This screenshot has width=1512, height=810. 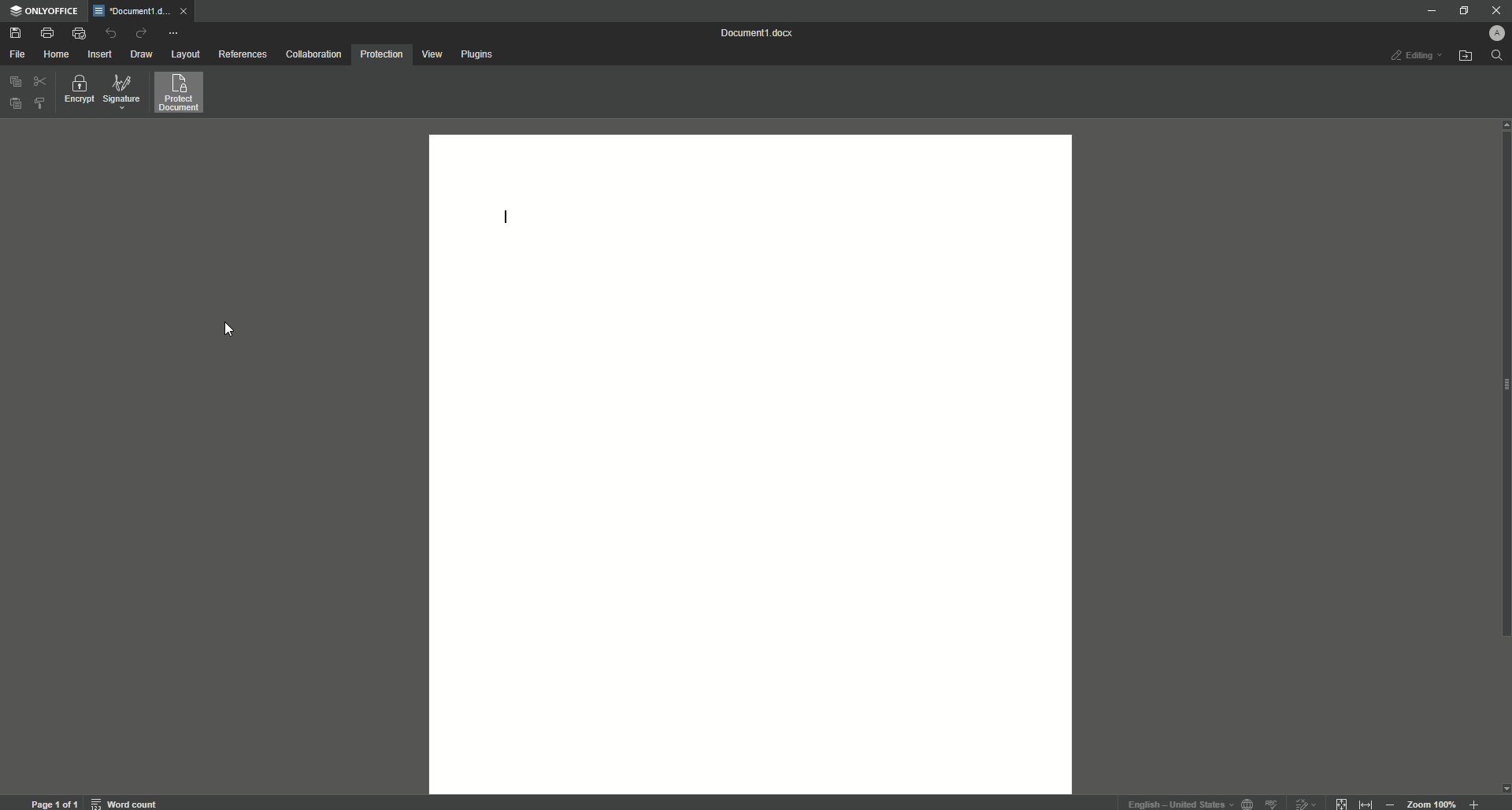 What do you see at coordinates (1475, 801) in the screenshot?
I see `Zoom in` at bounding box center [1475, 801].